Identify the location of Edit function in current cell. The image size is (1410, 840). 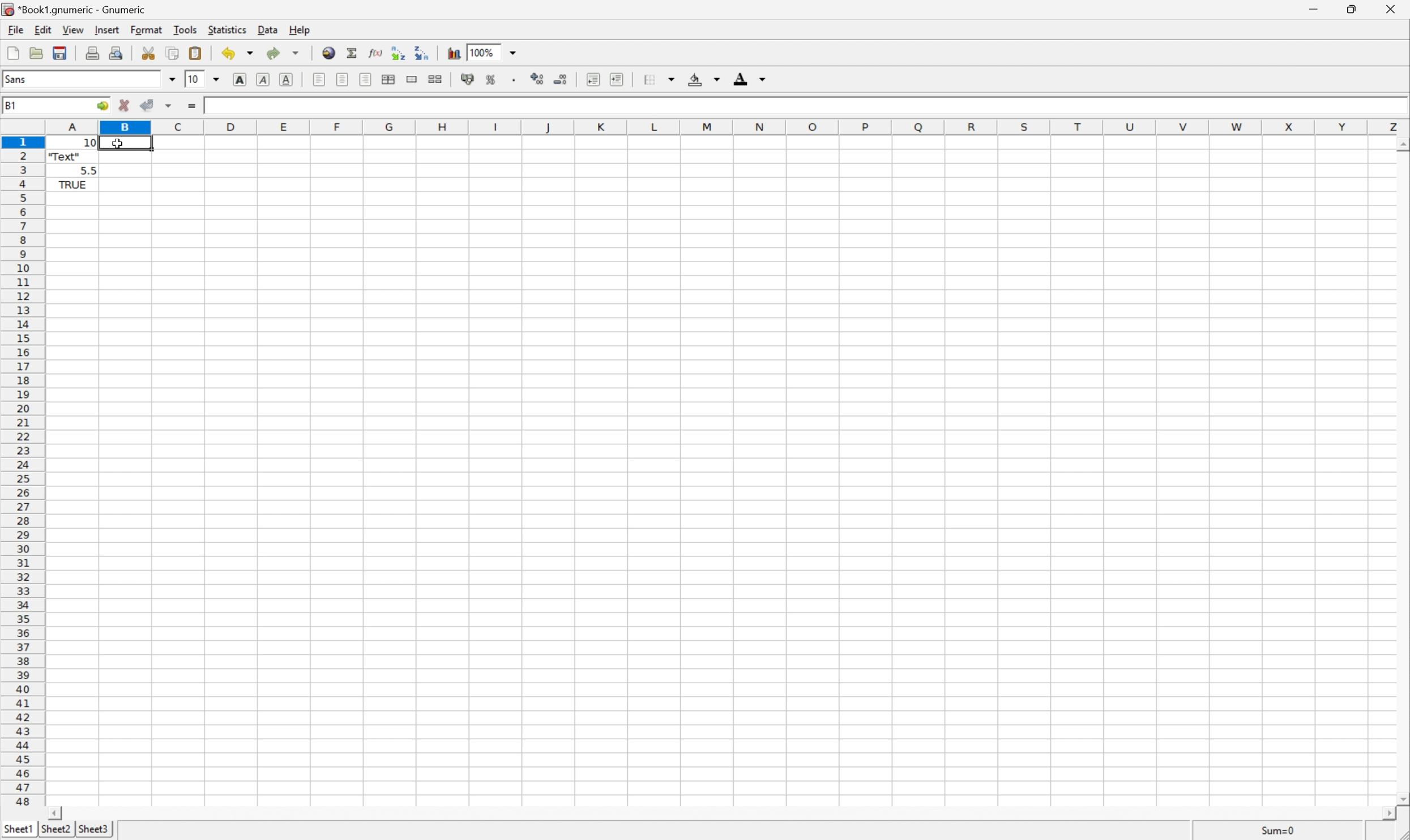
(377, 53).